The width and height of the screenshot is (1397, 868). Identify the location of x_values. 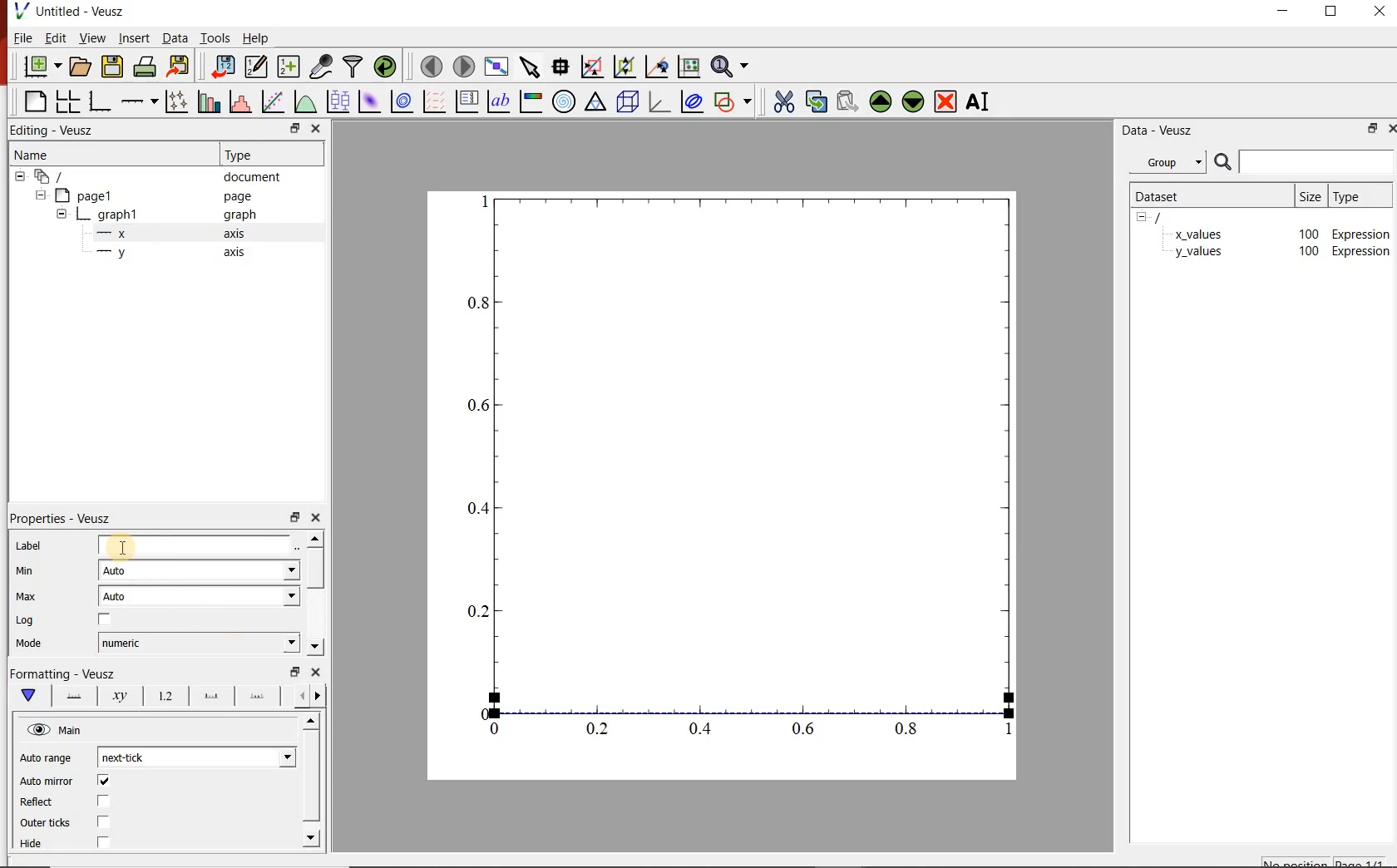
(1198, 233).